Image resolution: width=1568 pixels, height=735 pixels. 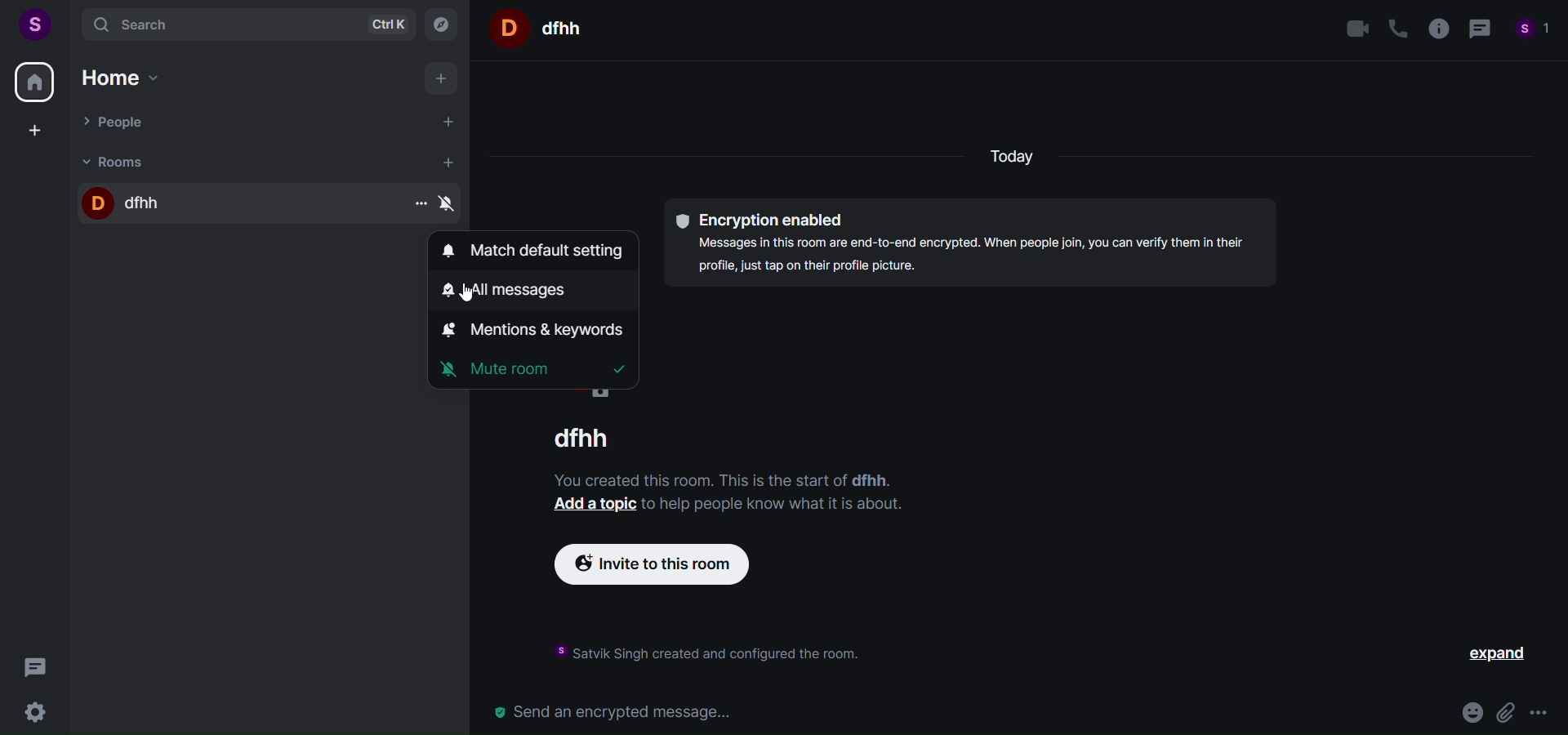 What do you see at coordinates (40, 132) in the screenshot?
I see `create a space` at bounding box center [40, 132].